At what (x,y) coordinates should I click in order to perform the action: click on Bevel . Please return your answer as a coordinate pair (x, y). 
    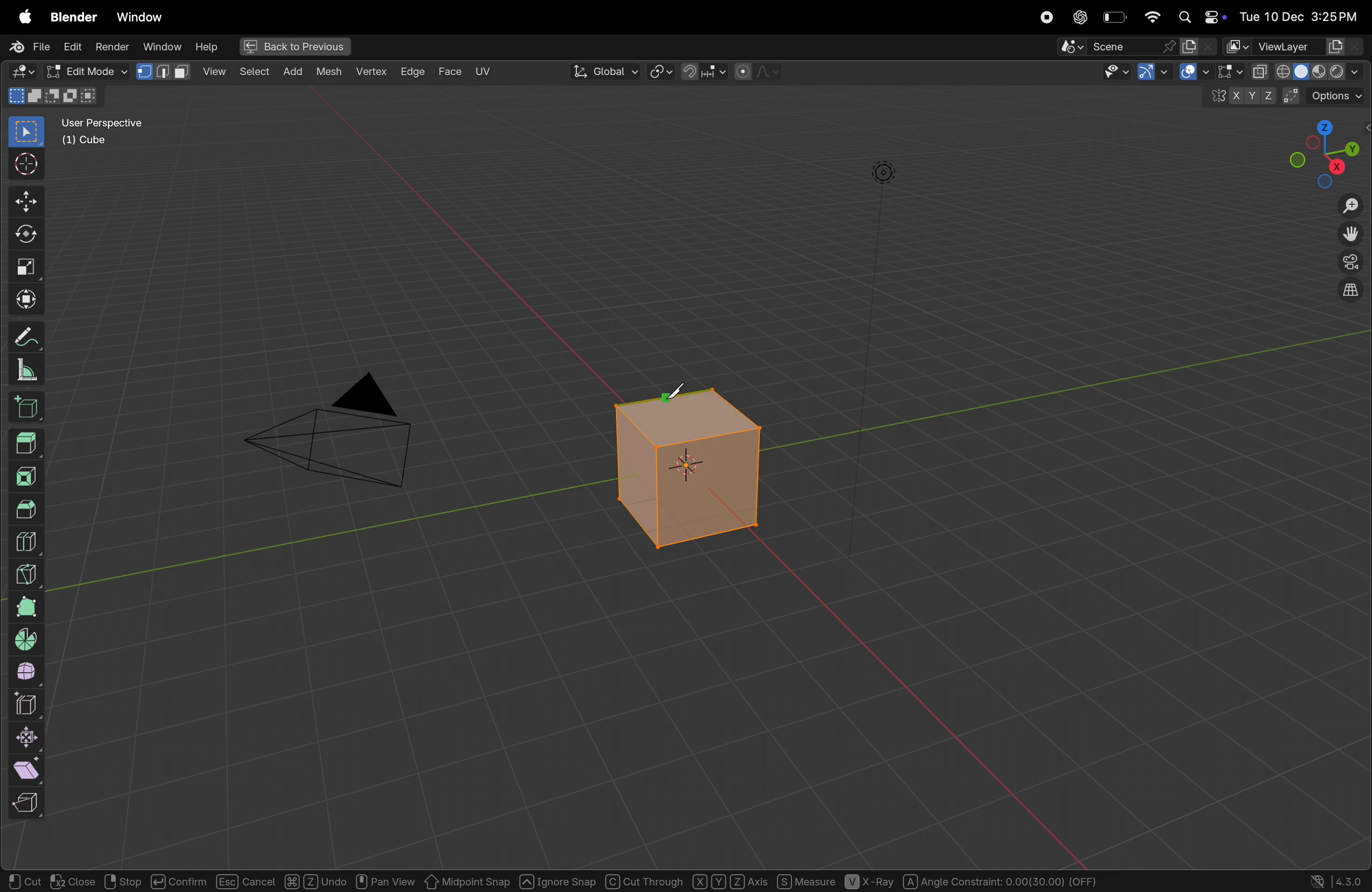
    Looking at the image, I should click on (27, 508).